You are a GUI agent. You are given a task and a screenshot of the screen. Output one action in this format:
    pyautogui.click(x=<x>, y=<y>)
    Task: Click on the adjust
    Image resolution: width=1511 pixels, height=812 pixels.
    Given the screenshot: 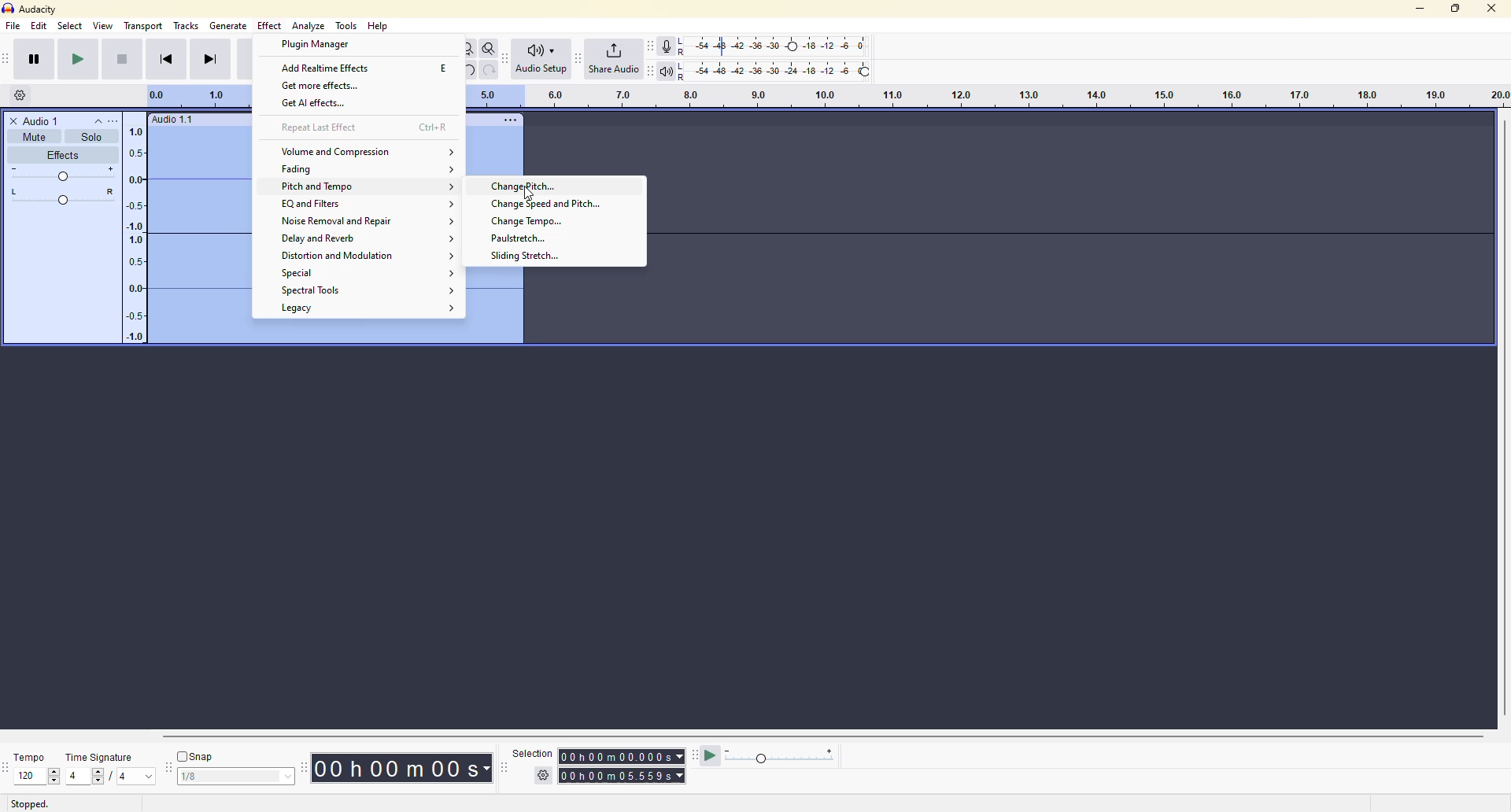 What is the action you would take?
    pyautogui.click(x=65, y=197)
    